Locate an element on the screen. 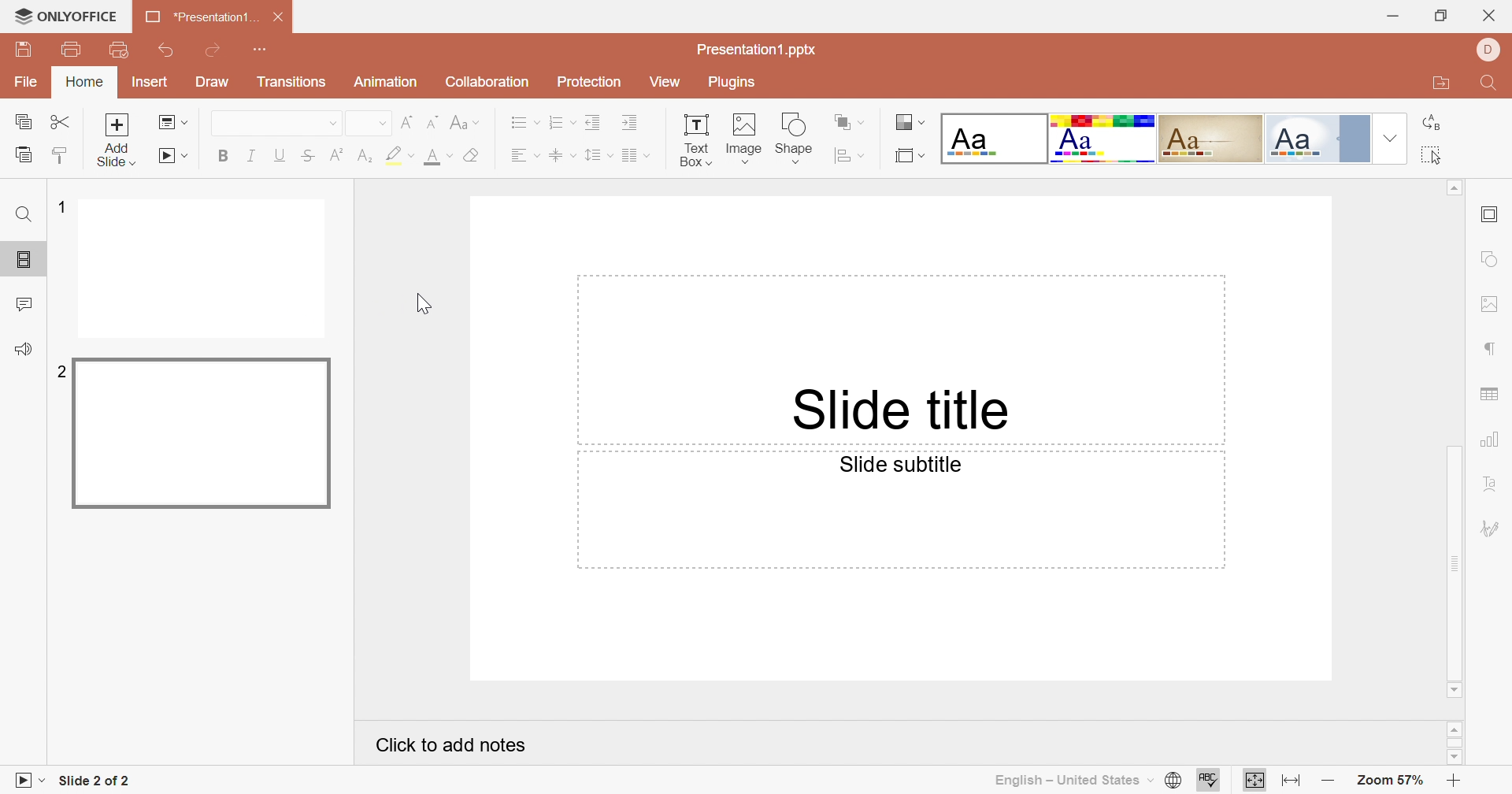 The width and height of the screenshot is (1512, 794). Strikethrough is located at coordinates (310, 152).